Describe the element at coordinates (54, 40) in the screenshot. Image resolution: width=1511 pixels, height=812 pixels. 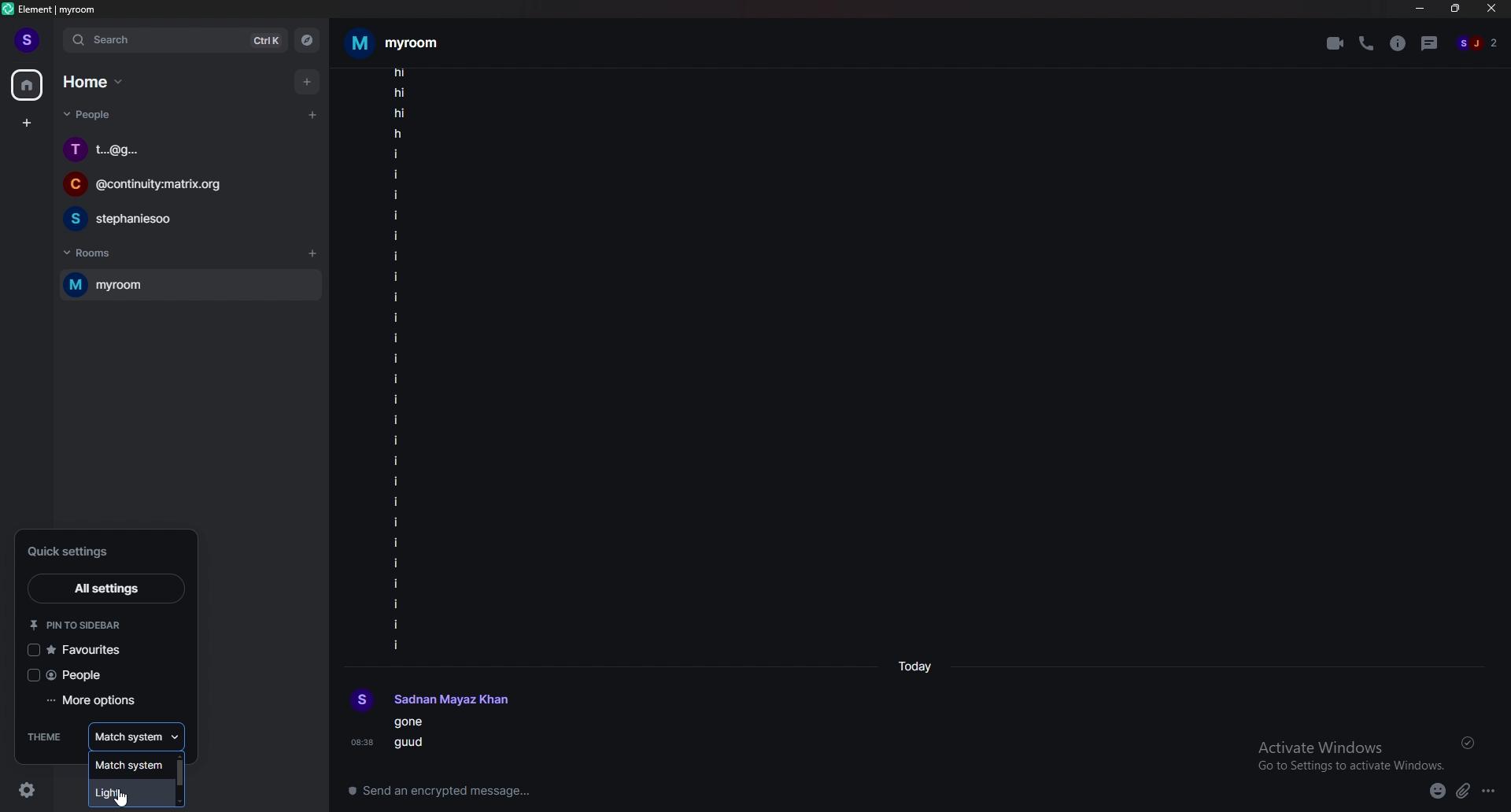
I see `expand` at that location.